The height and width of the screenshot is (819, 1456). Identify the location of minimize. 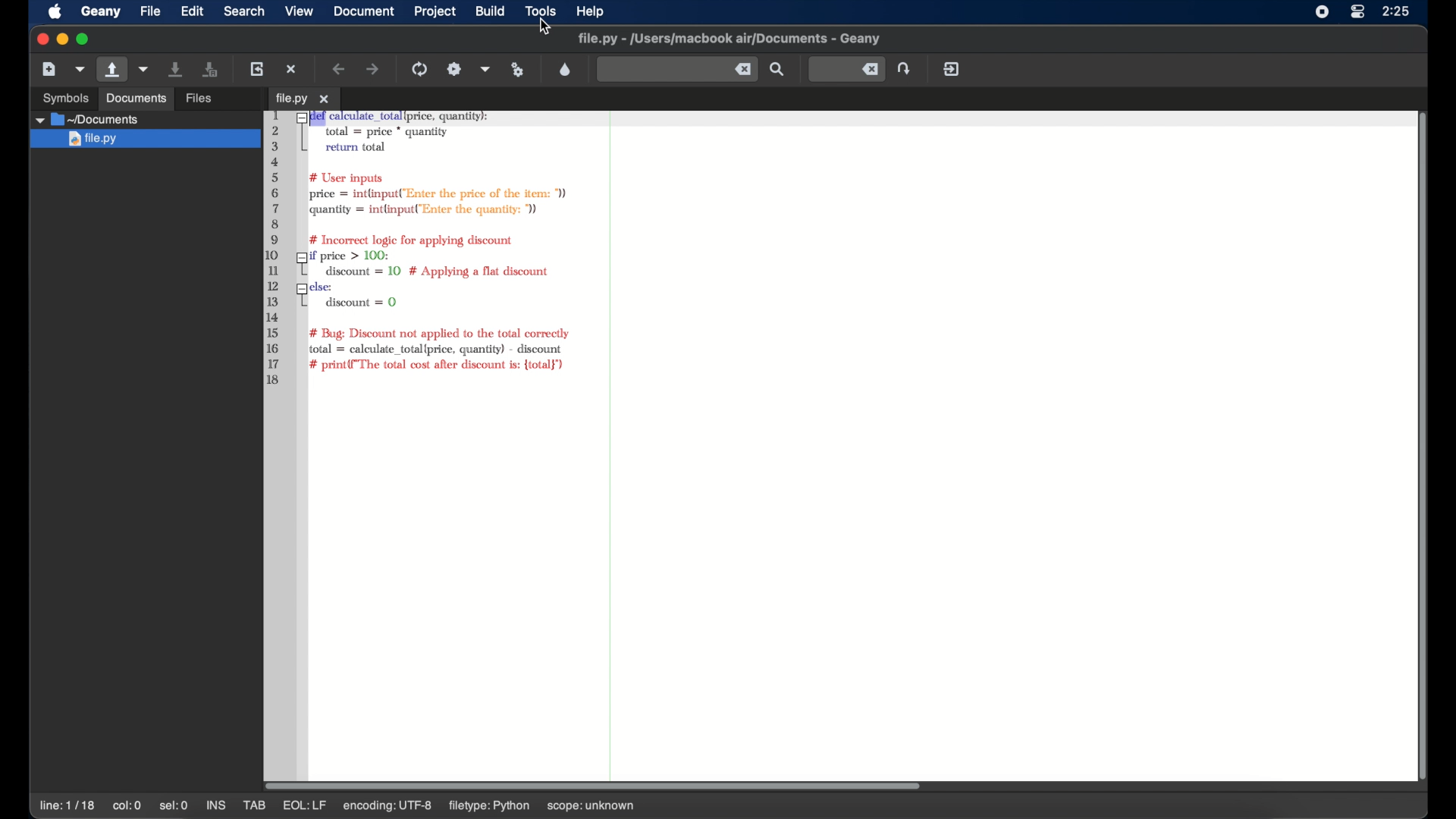
(61, 39).